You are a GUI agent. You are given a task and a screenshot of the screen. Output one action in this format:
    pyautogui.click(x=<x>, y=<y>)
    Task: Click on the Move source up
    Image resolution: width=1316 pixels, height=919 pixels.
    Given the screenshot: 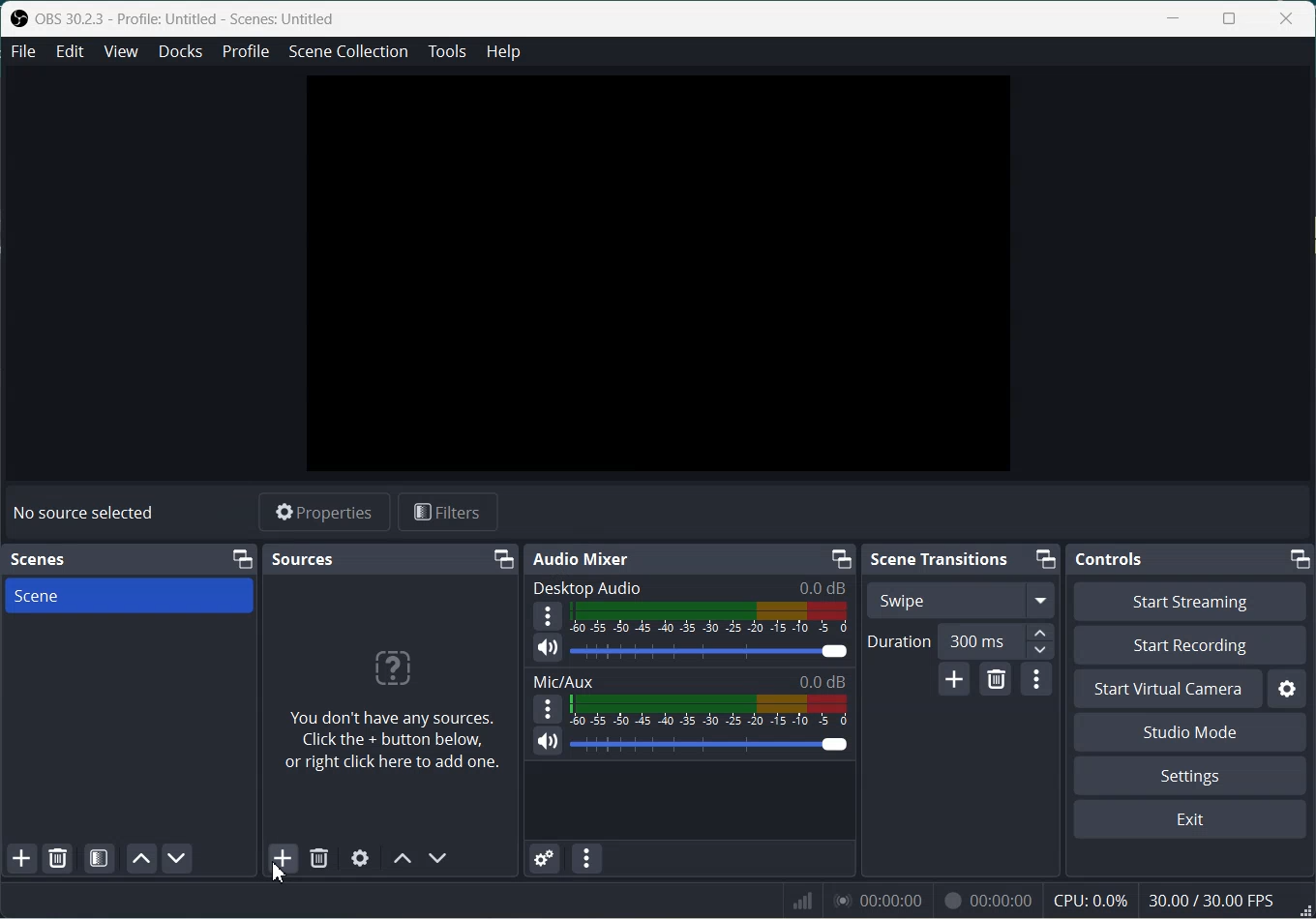 What is the action you would take?
    pyautogui.click(x=402, y=859)
    